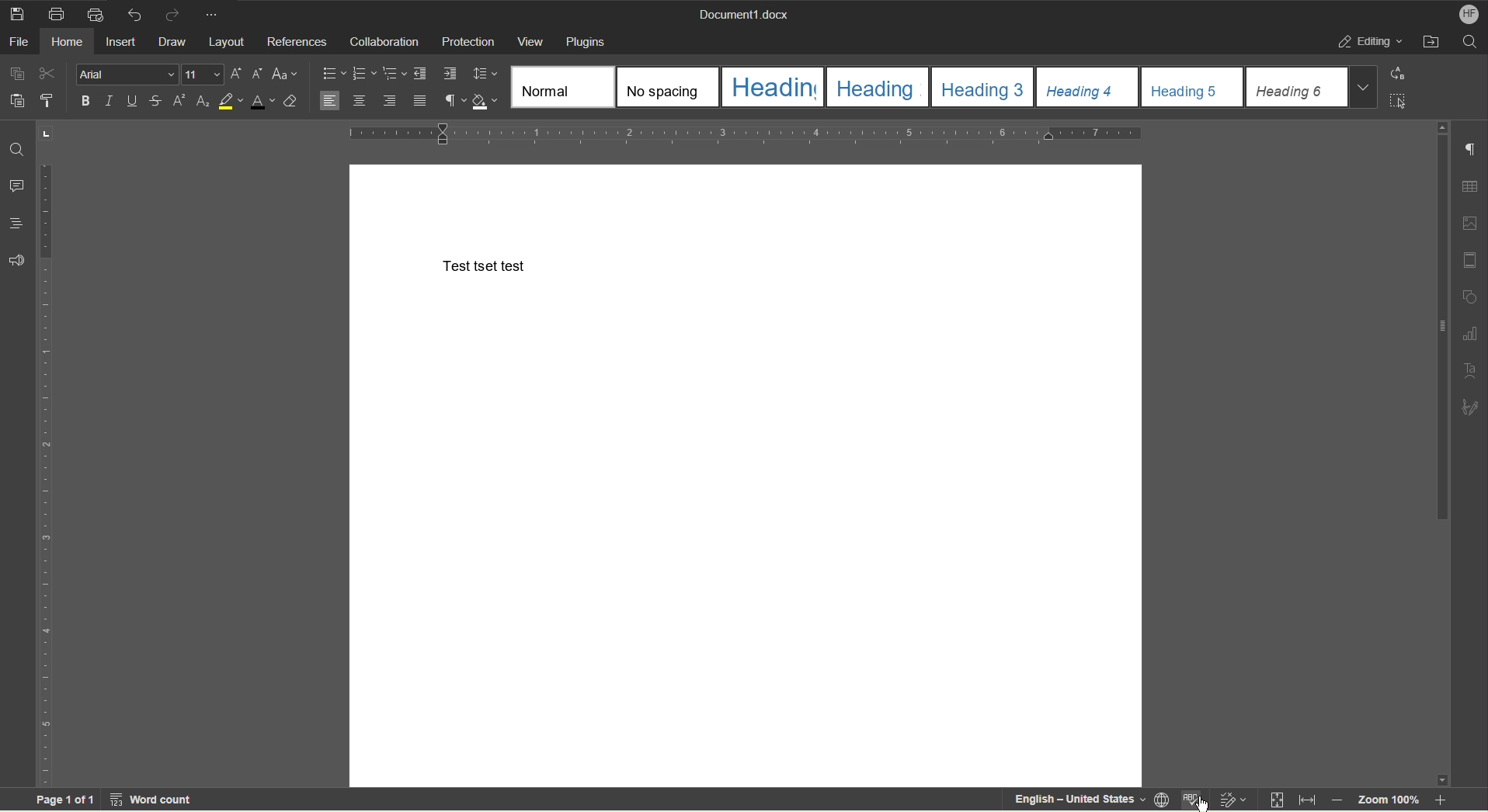 Image resolution: width=1488 pixels, height=812 pixels. What do you see at coordinates (285, 75) in the screenshot?
I see `Font Case Options` at bounding box center [285, 75].